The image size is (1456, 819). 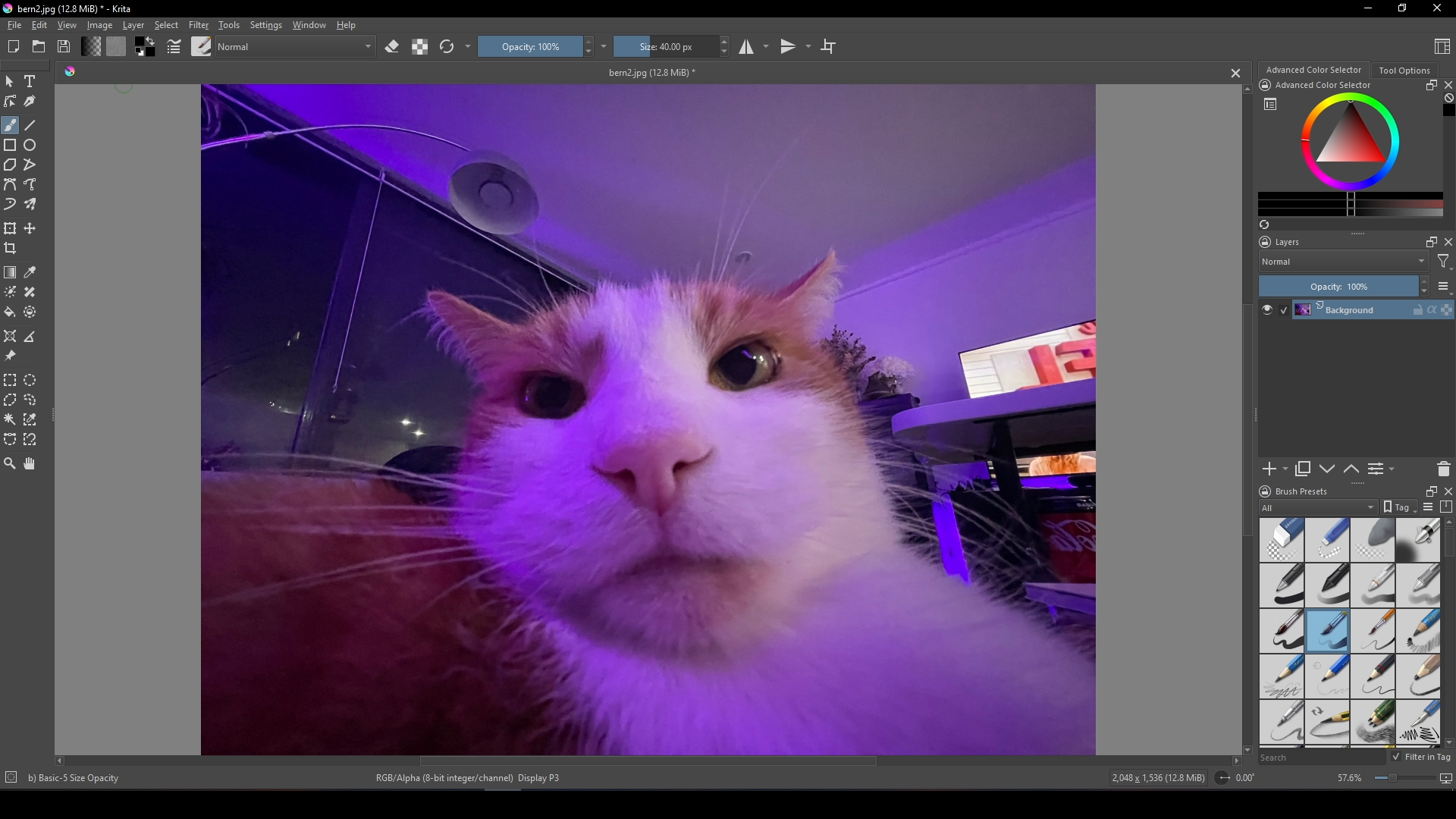 What do you see at coordinates (230, 25) in the screenshot?
I see `Tools` at bounding box center [230, 25].